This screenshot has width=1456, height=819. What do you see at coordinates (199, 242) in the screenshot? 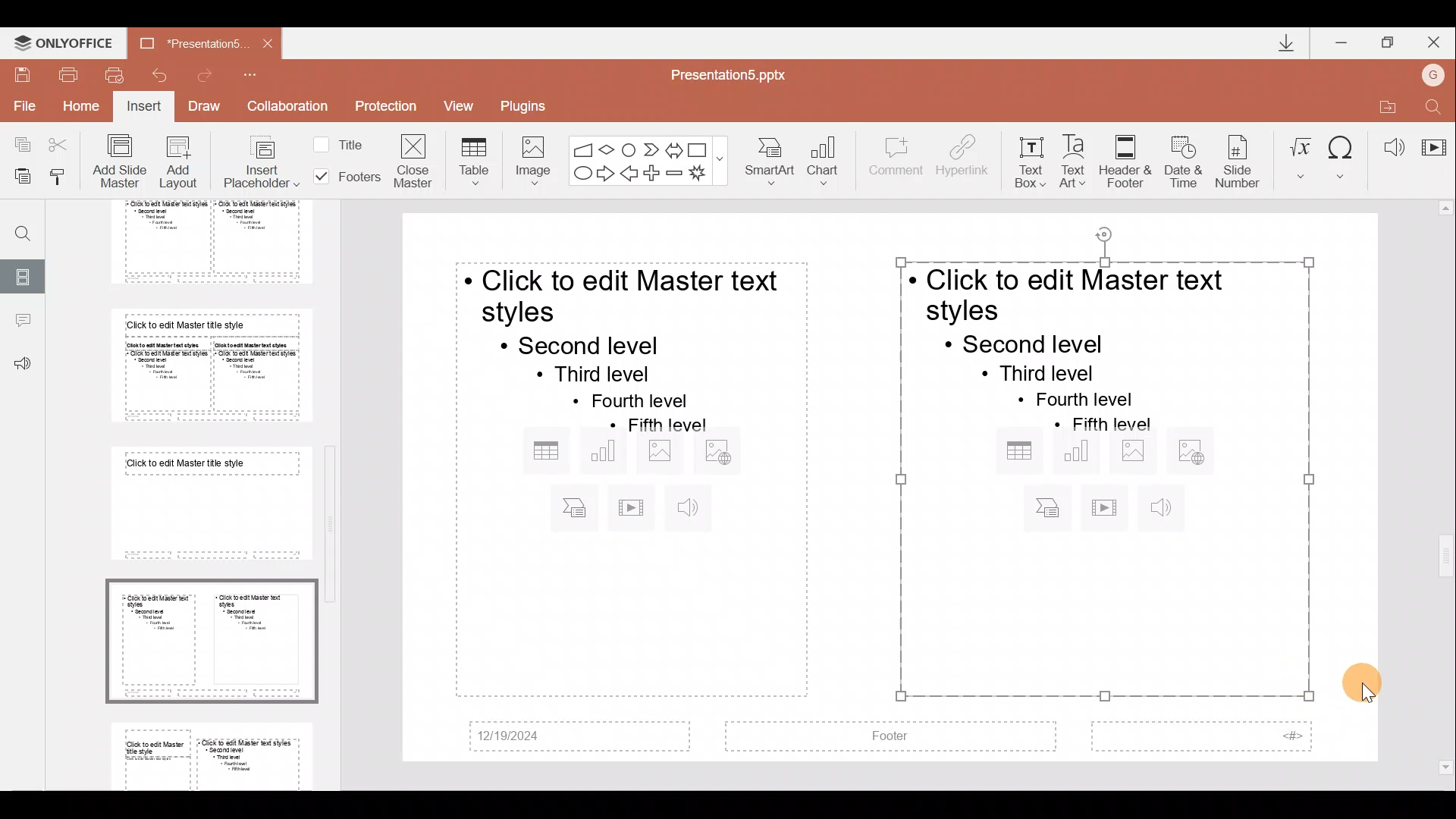
I see `Slide 5` at bounding box center [199, 242].